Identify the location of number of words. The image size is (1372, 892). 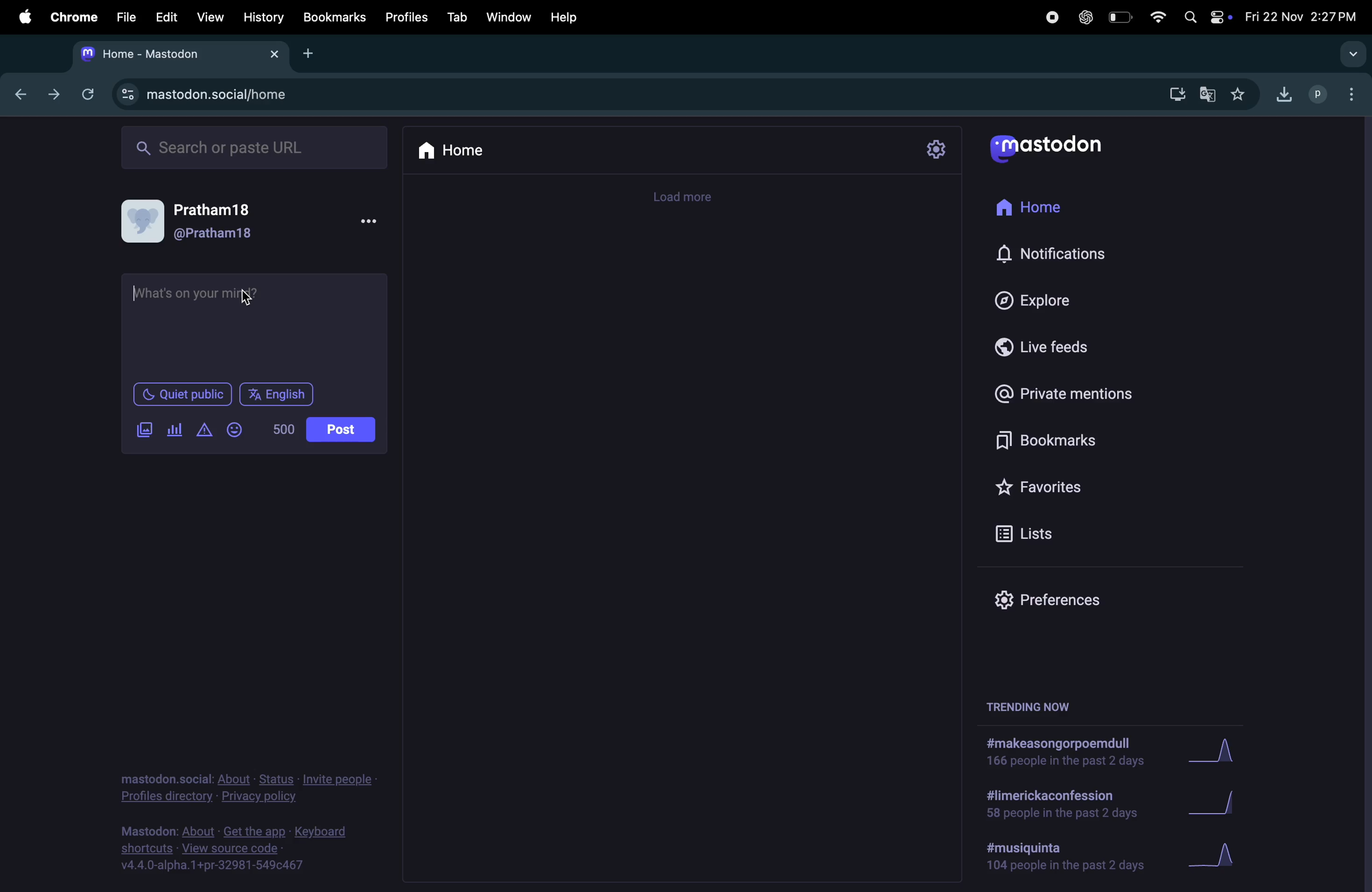
(278, 430).